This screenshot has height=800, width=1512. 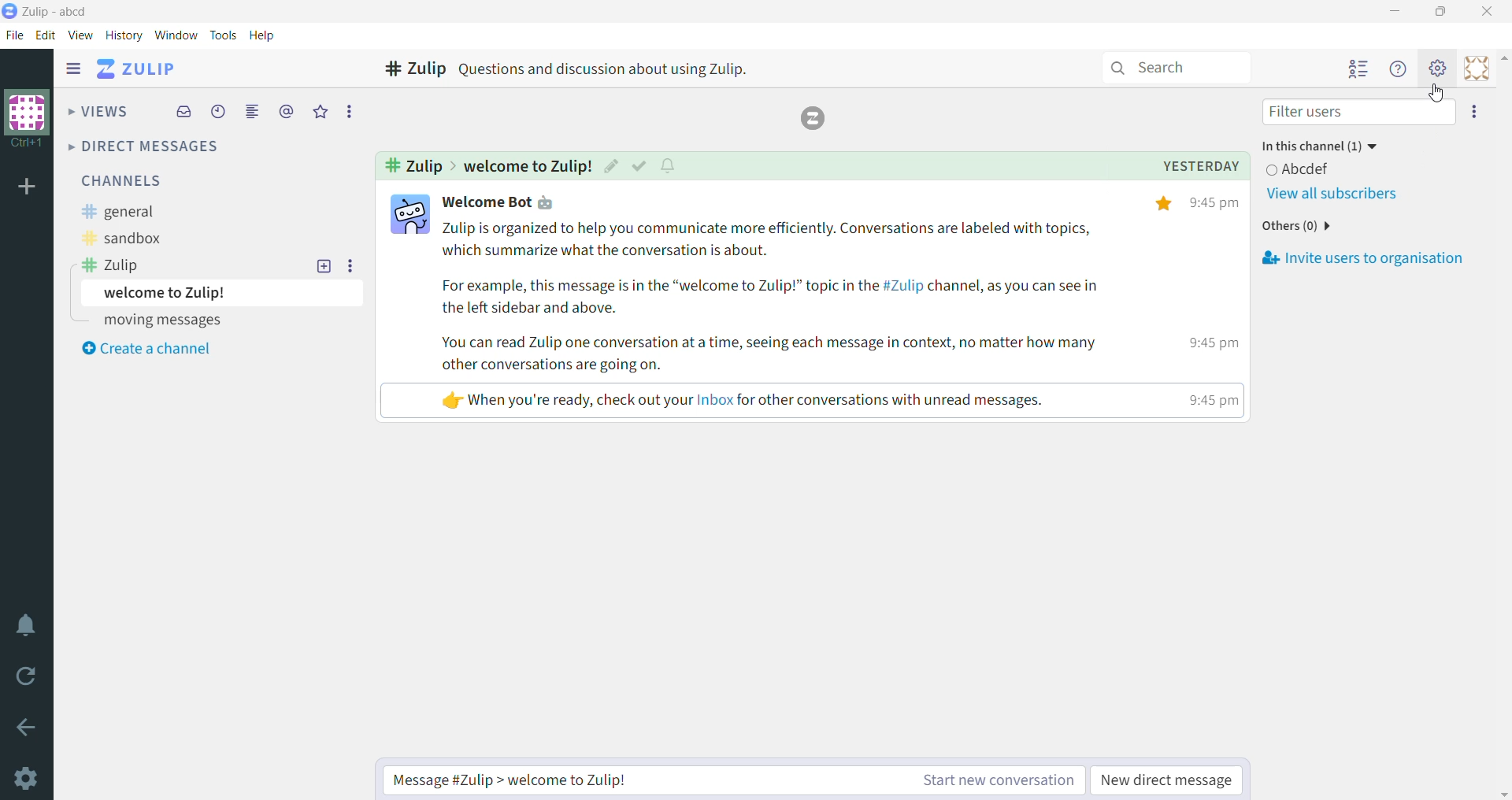 What do you see at coordinates (120, 212) in the screenshot?
I see `general` at bounding box center [120, 212].